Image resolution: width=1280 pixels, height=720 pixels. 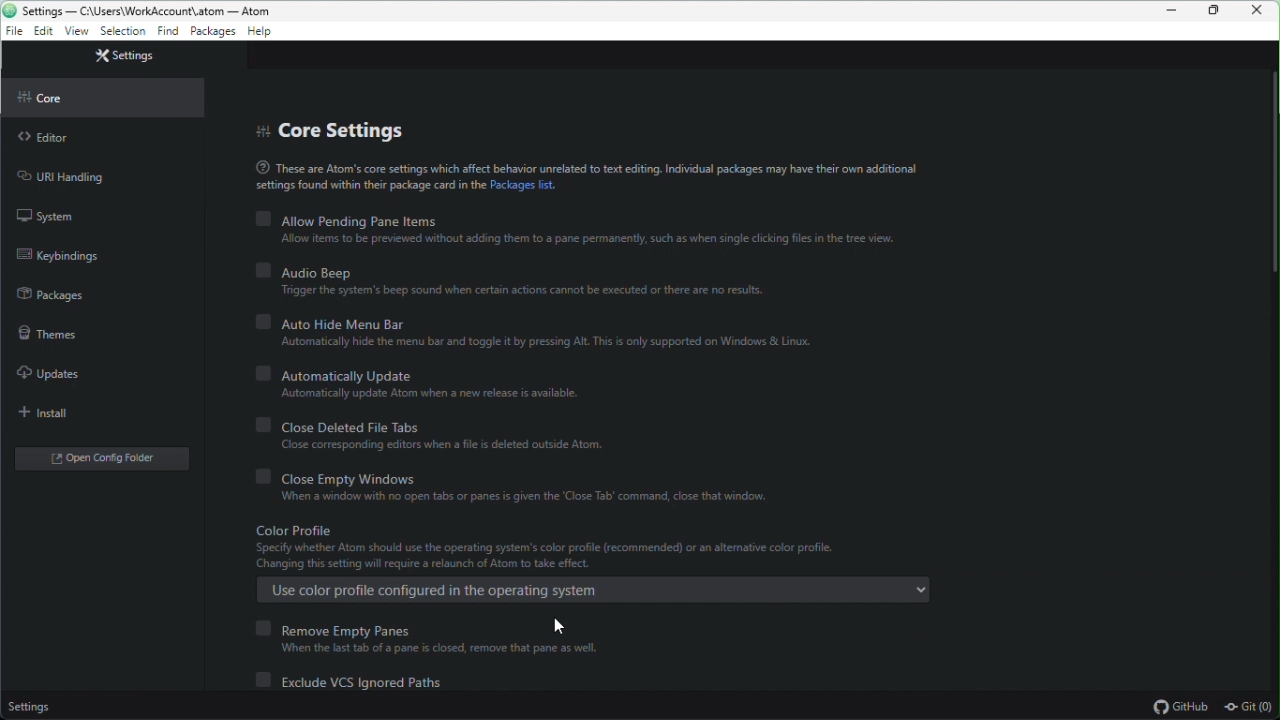 What do you see at coordinates (428, 635) in the screenshot?
I see `Remove empty panes` at bounding box center [428, 635].